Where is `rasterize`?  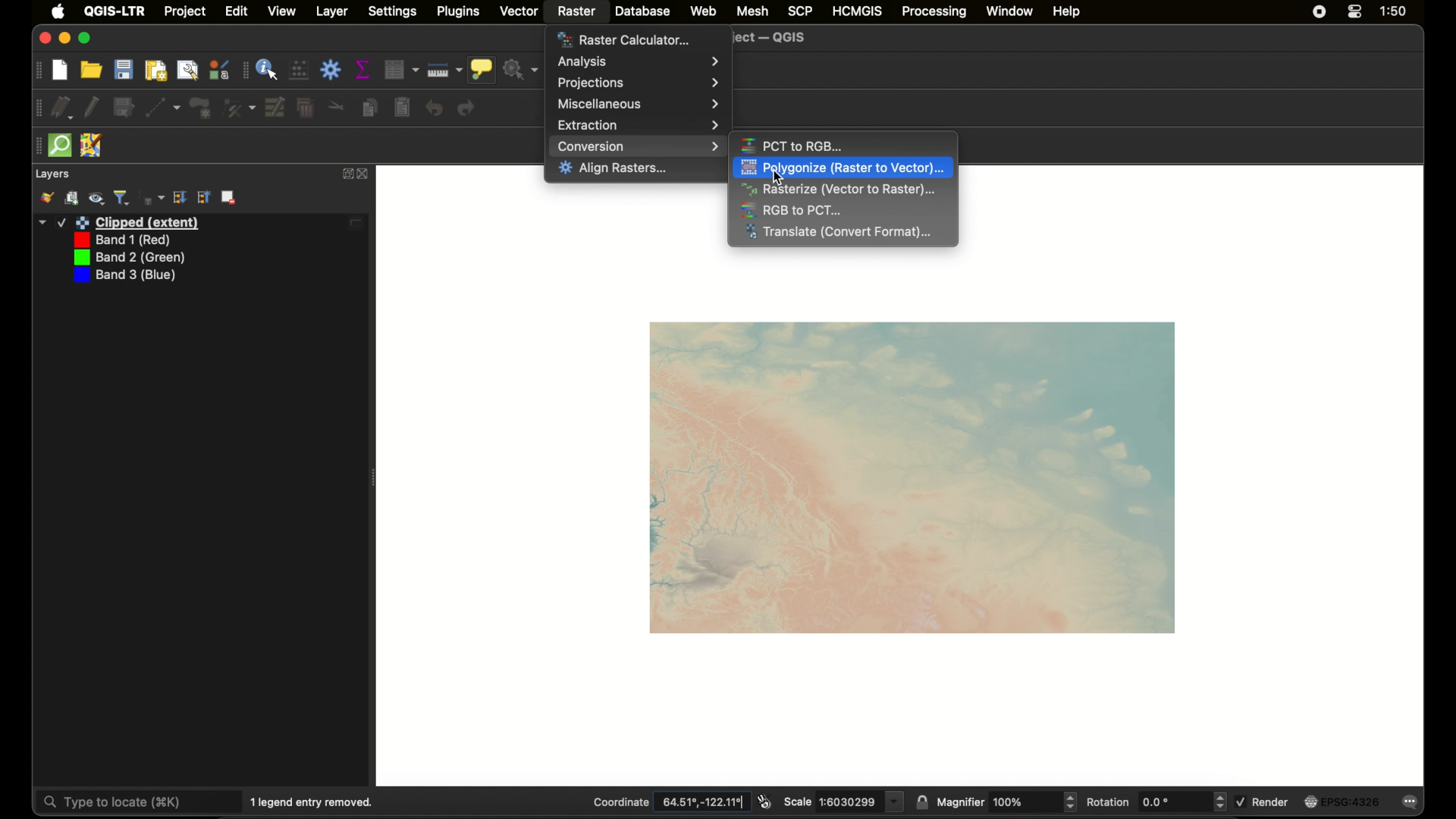
rasterize is located at coordinates (843, 190).